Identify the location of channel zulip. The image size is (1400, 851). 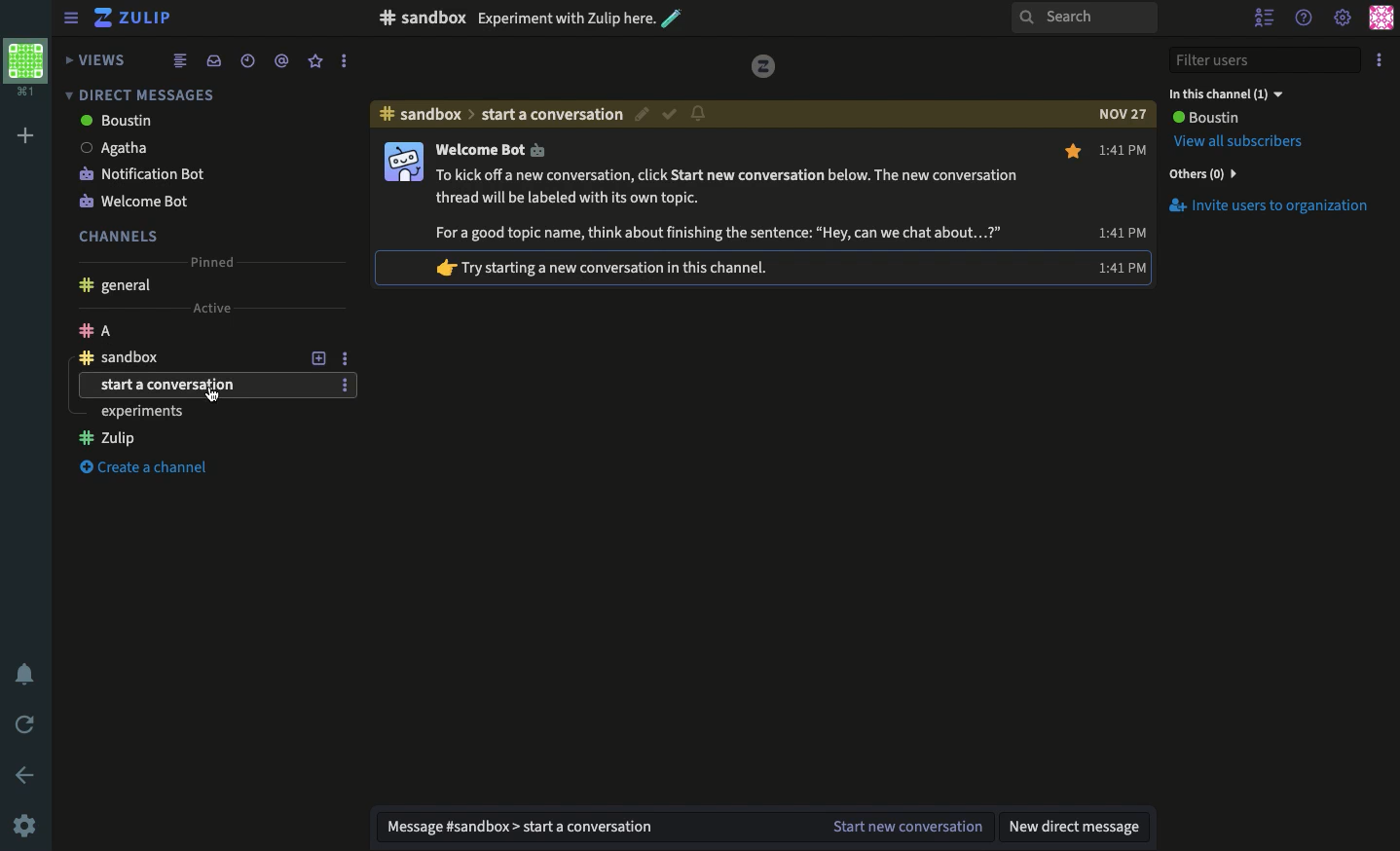
(206, 412).